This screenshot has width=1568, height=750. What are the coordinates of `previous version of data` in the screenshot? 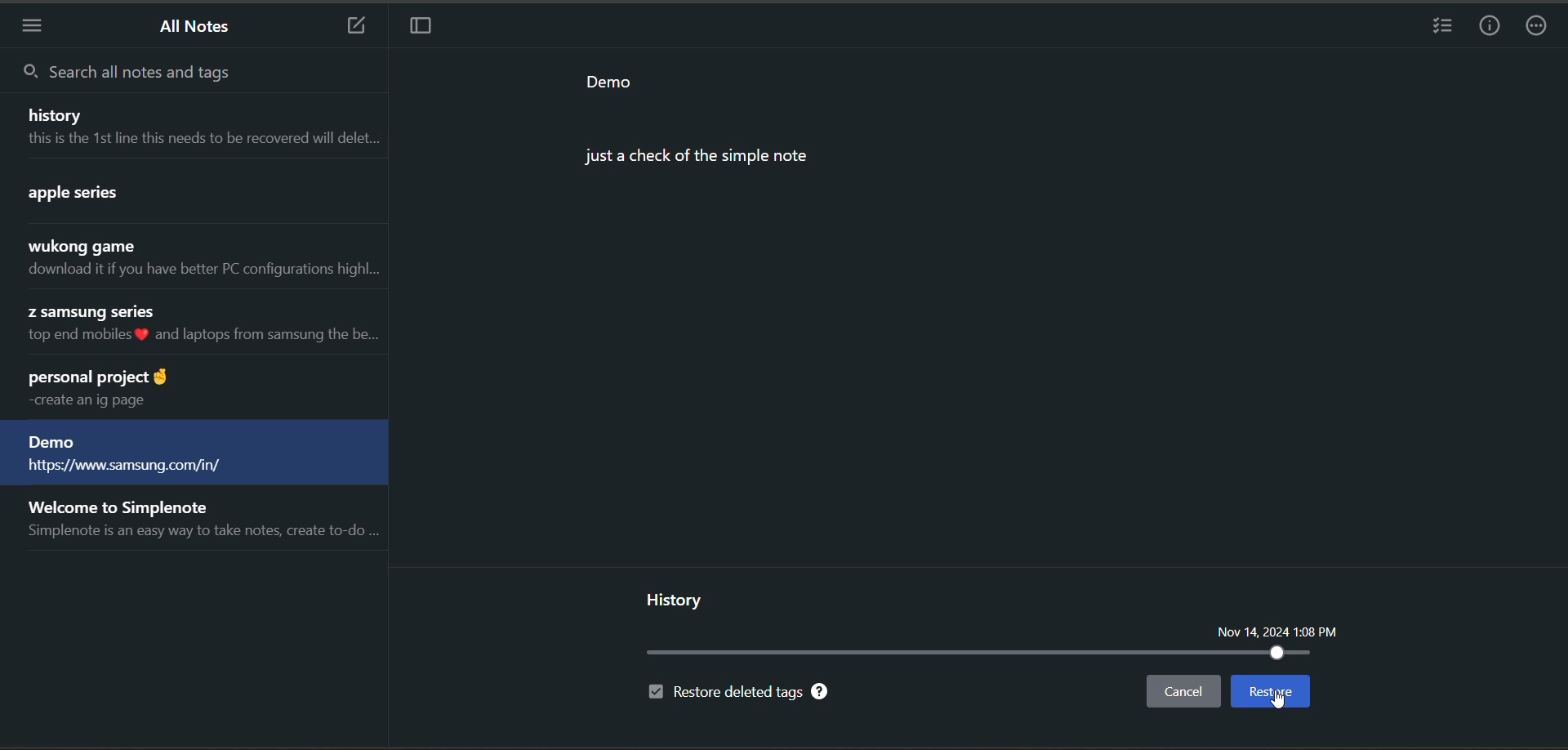 It's located at (701, 116).